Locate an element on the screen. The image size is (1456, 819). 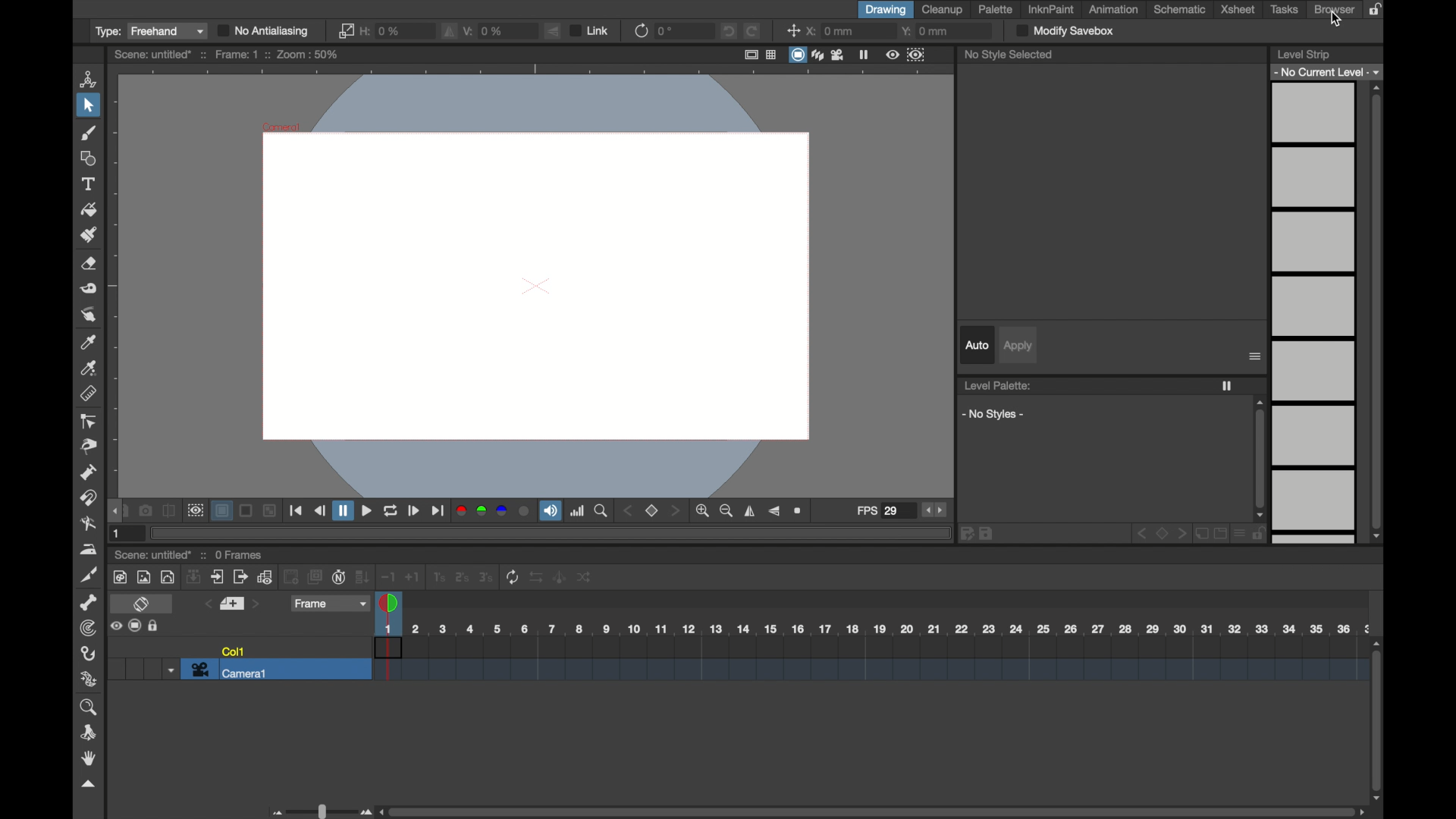
more options is located at coordinates (1111, 535).